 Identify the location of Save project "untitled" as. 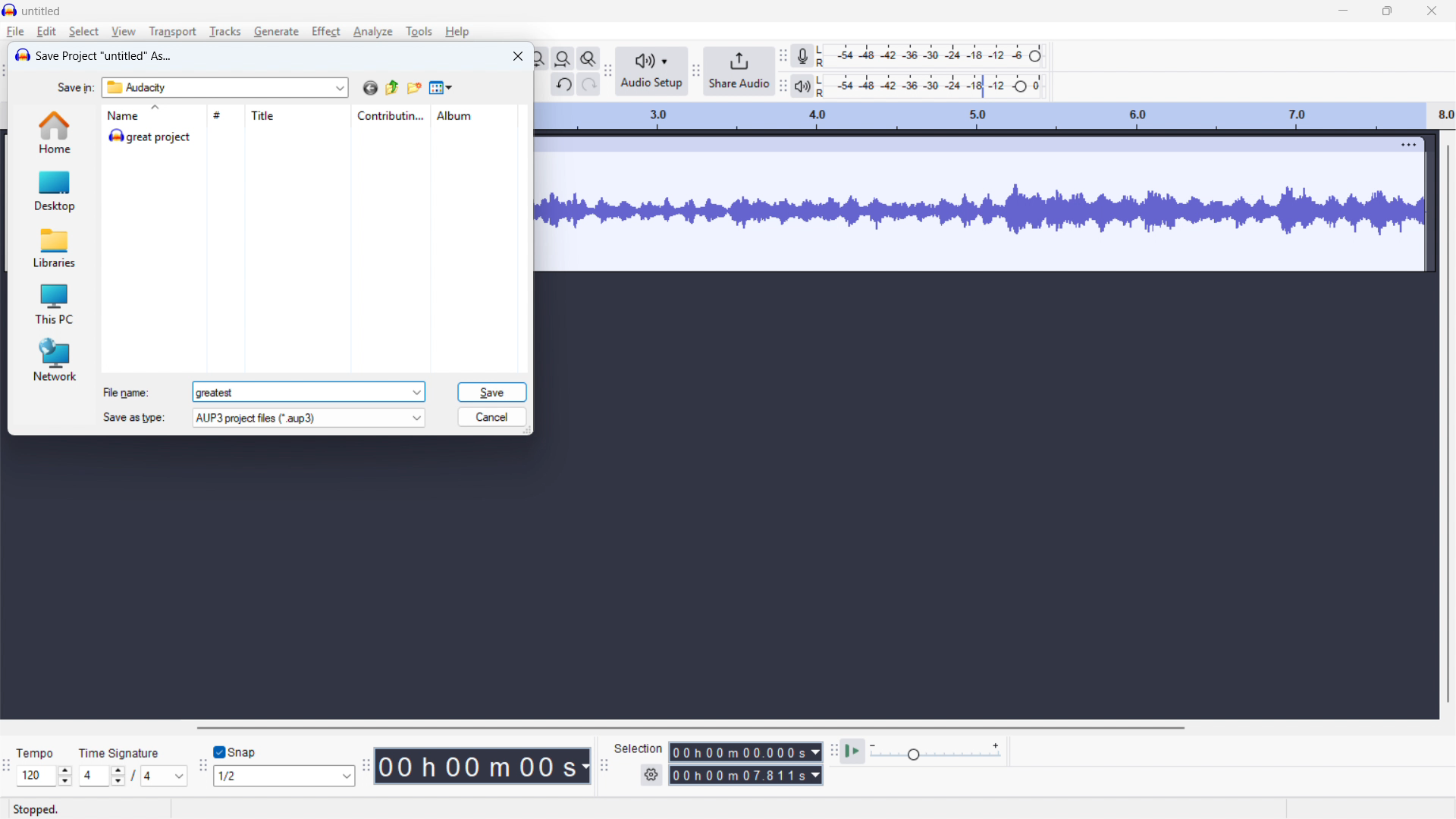
(105, 56).